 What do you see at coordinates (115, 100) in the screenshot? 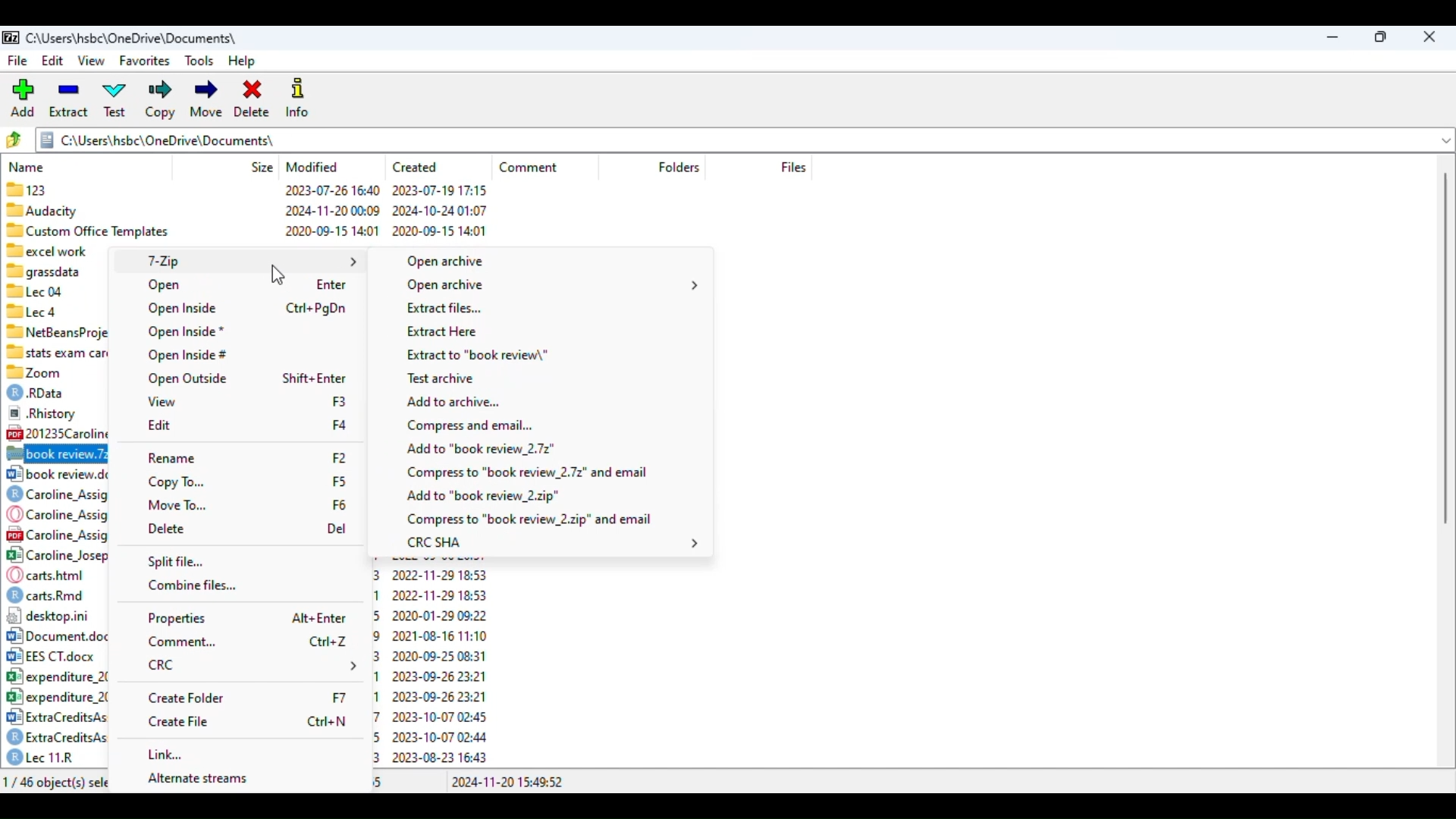
I see `test` at bounding box center [115, 100].